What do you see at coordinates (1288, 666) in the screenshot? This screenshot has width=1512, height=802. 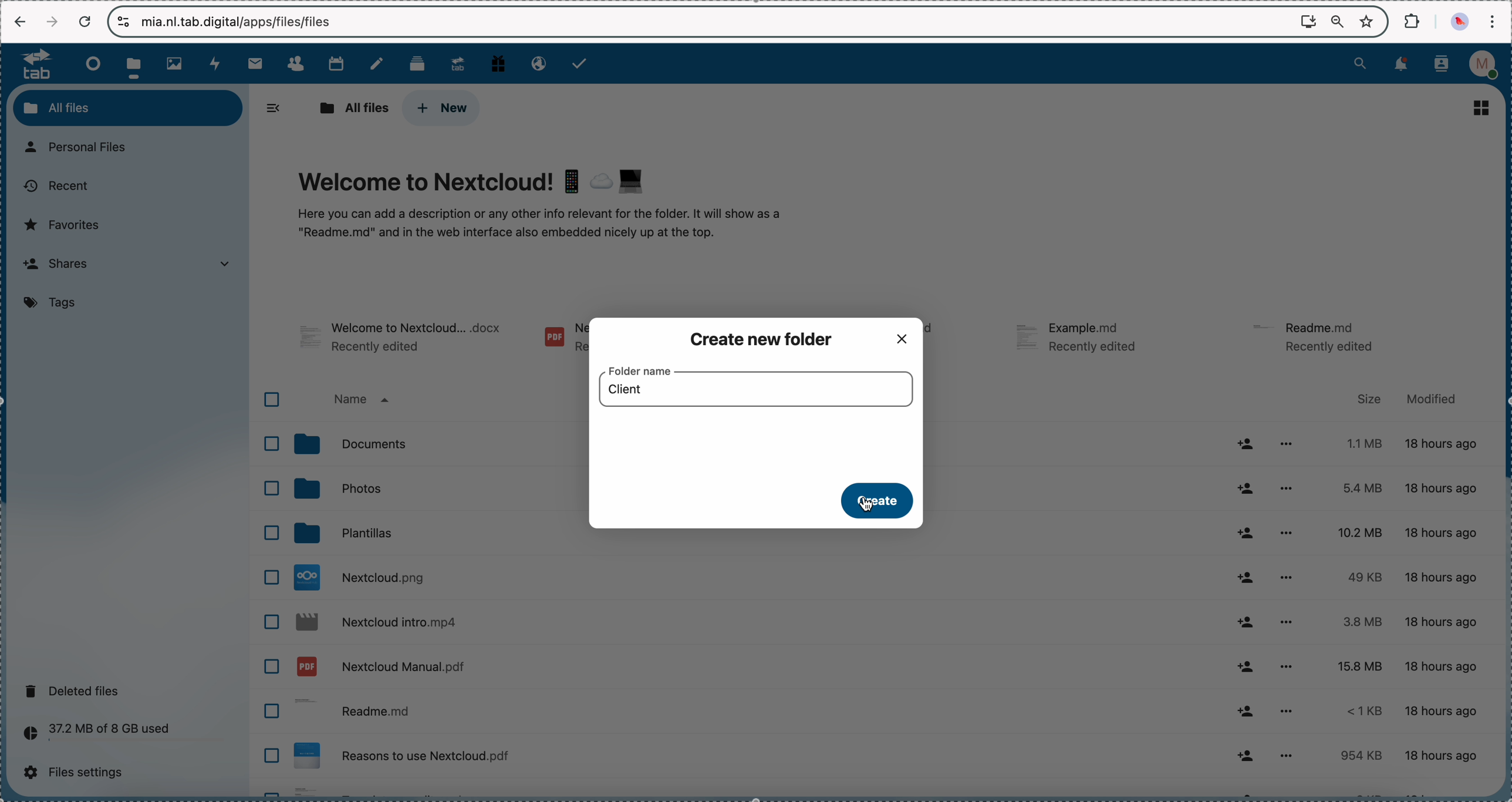 I see `more options` at bounding box center [1288, 666].